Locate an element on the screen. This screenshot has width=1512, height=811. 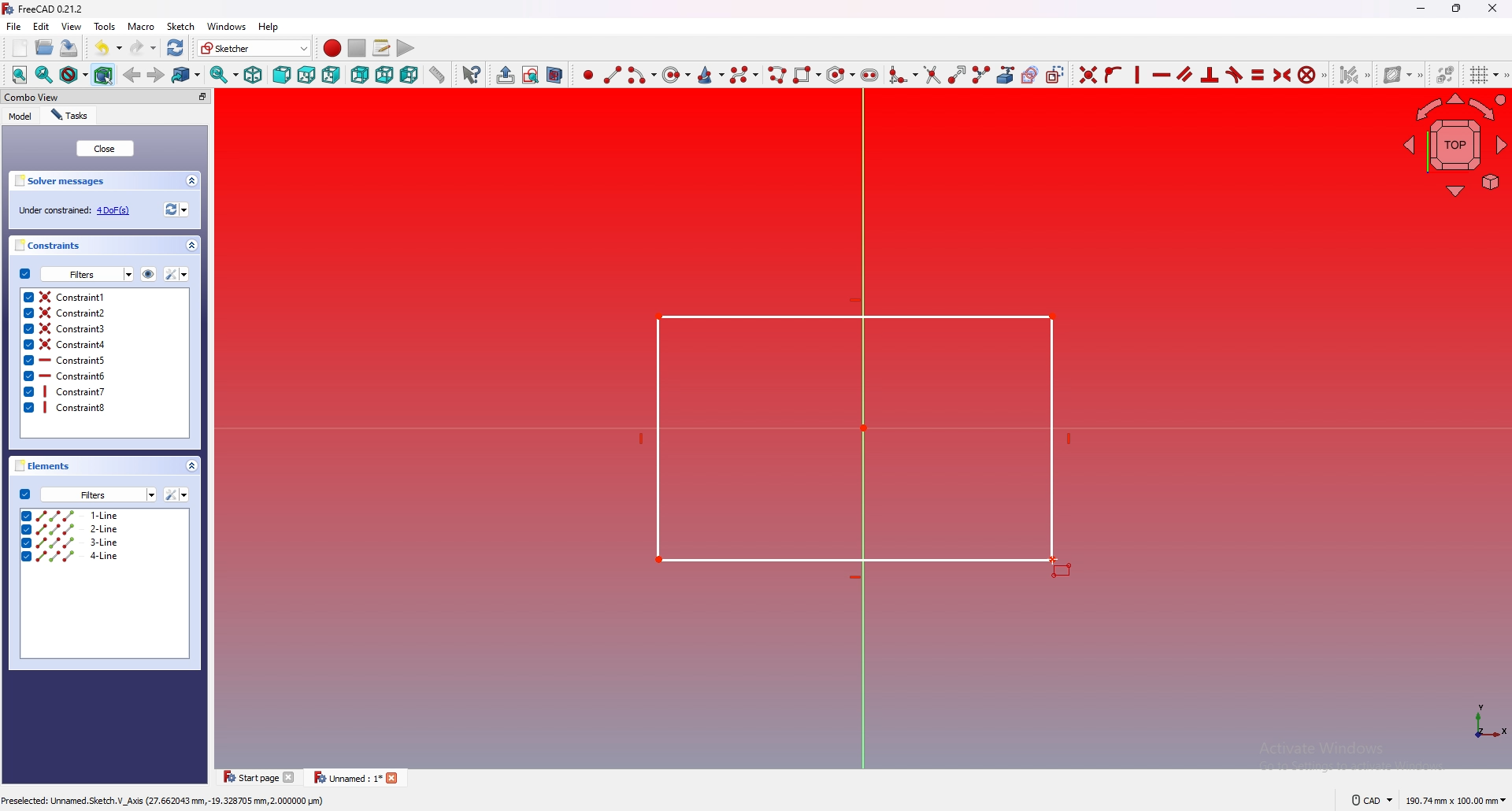
settings is located at coordinates (176, 274).